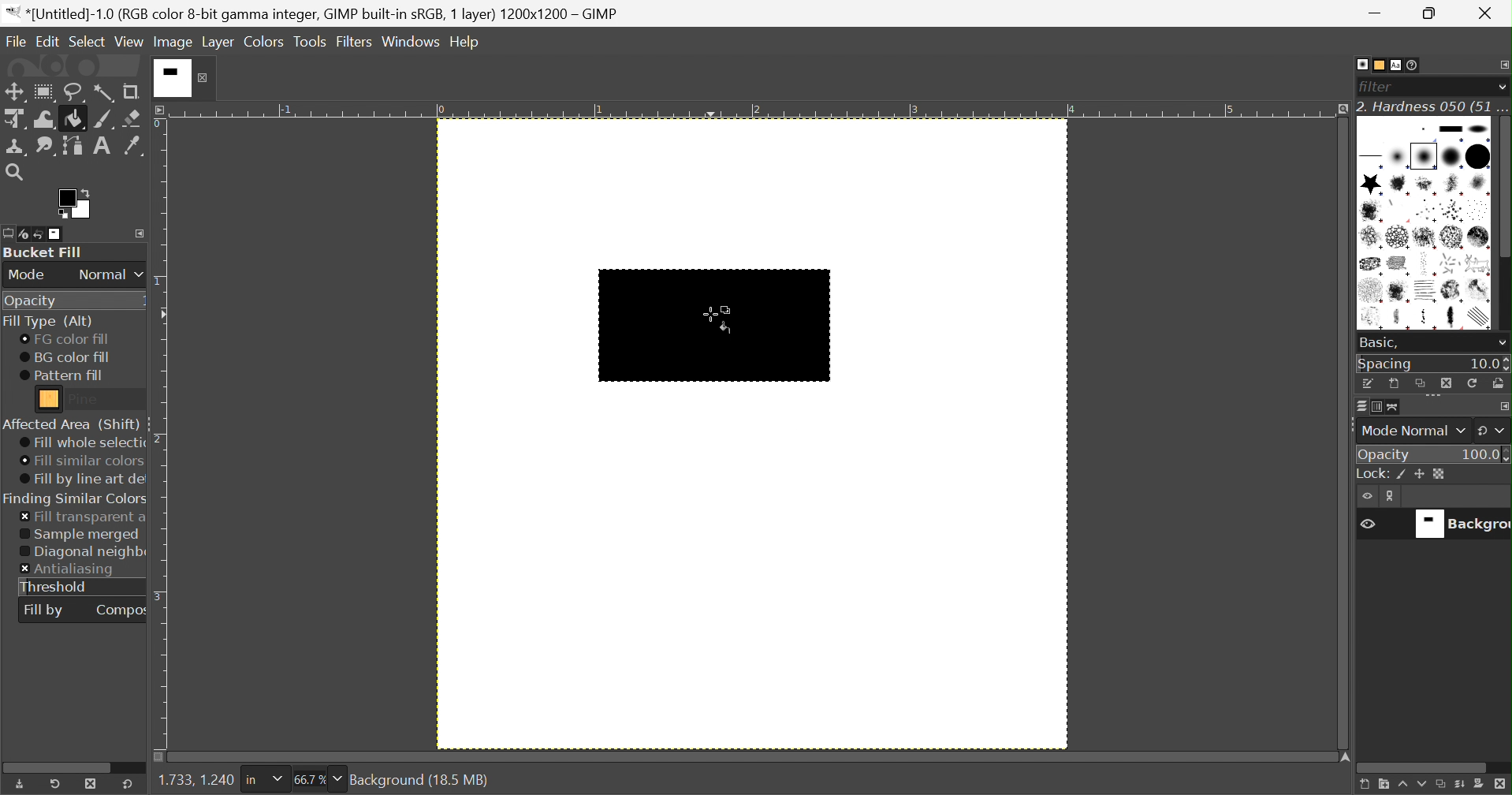 The image size is (1512, 795). I want to click on The active foreground color. Click to open the color selection dialog., so click(73, 203).